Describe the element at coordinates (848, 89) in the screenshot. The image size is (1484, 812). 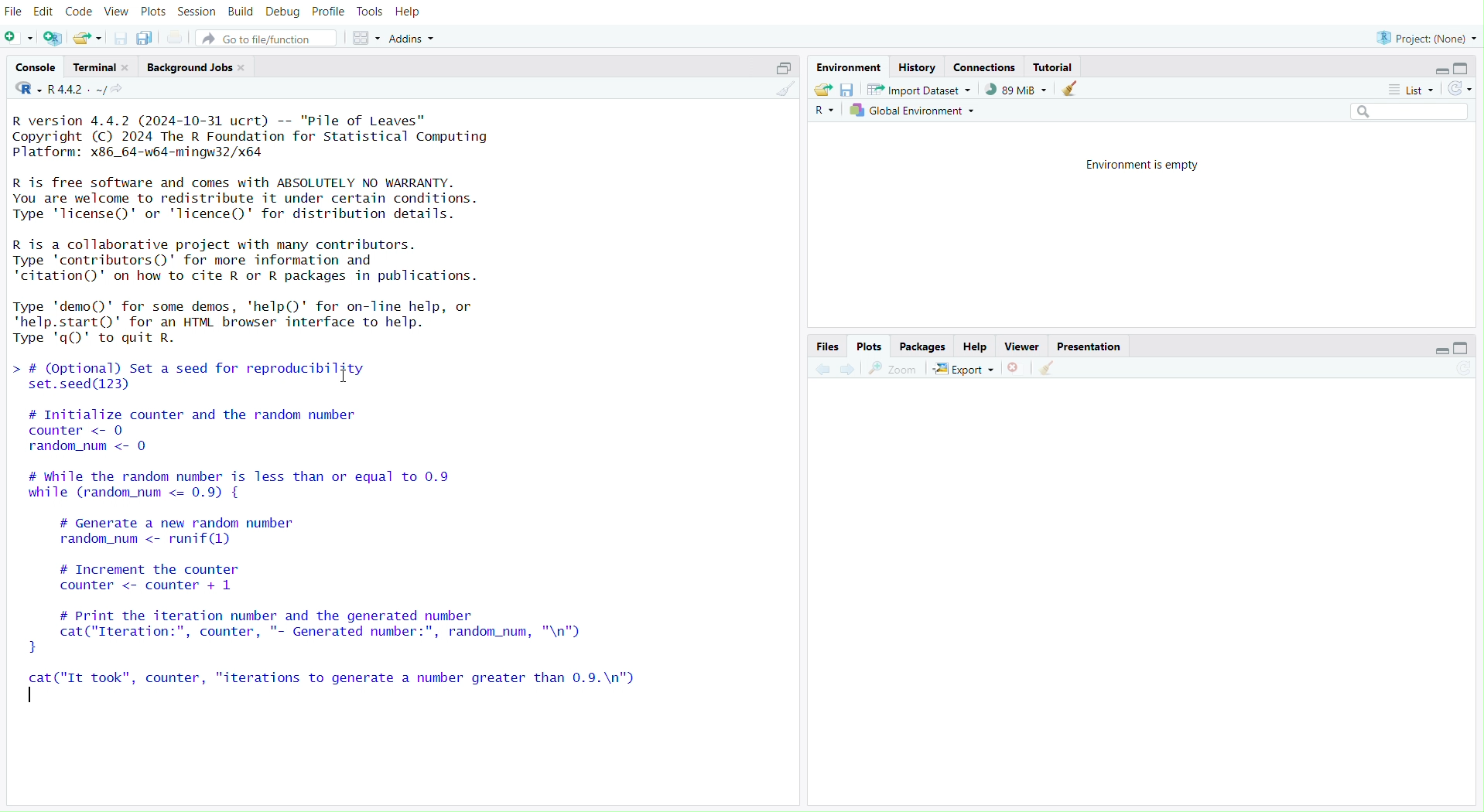
I see `Save workspace as` at that location.